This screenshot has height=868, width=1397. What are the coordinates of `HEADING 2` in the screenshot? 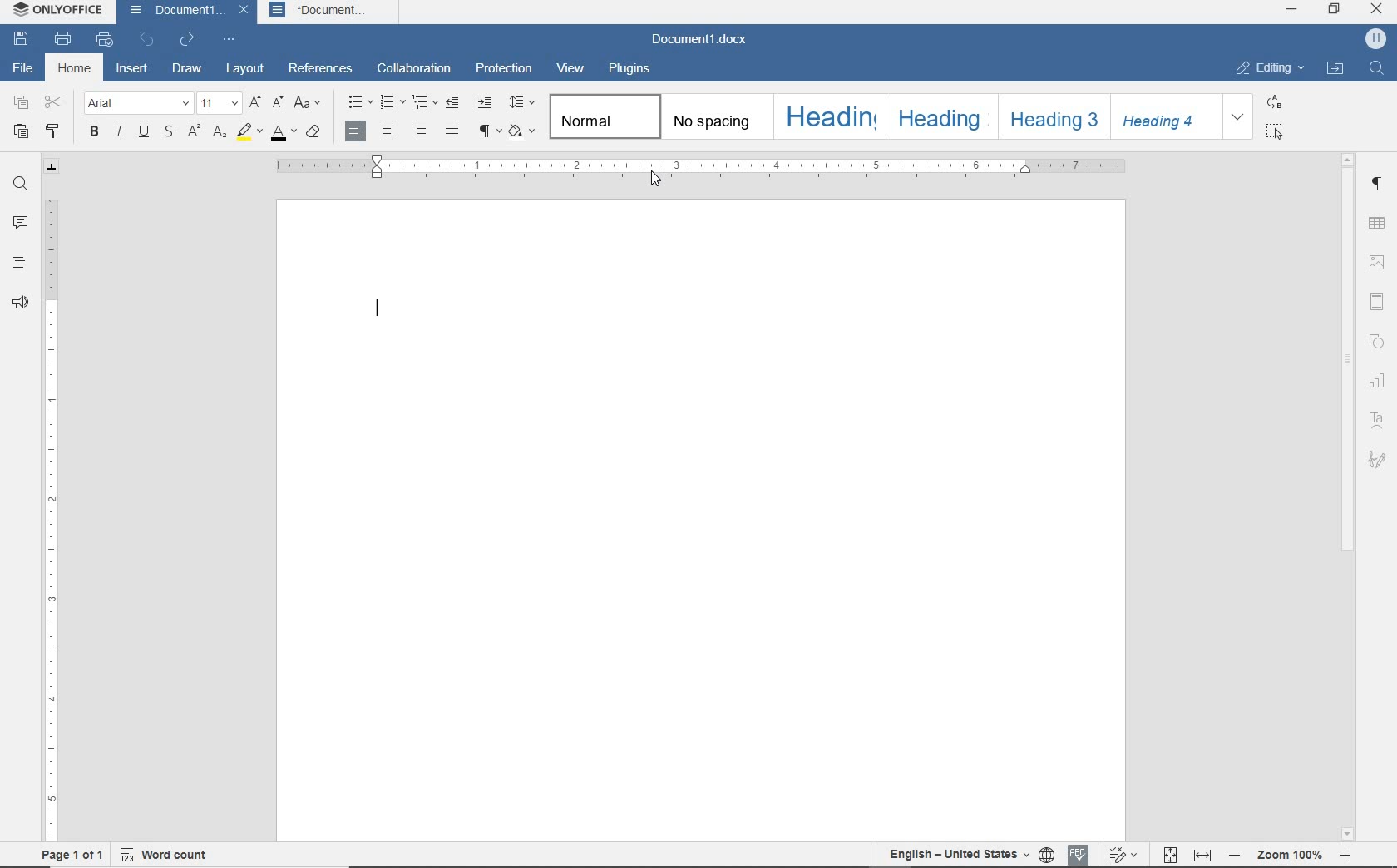 It's located at (939, 116).